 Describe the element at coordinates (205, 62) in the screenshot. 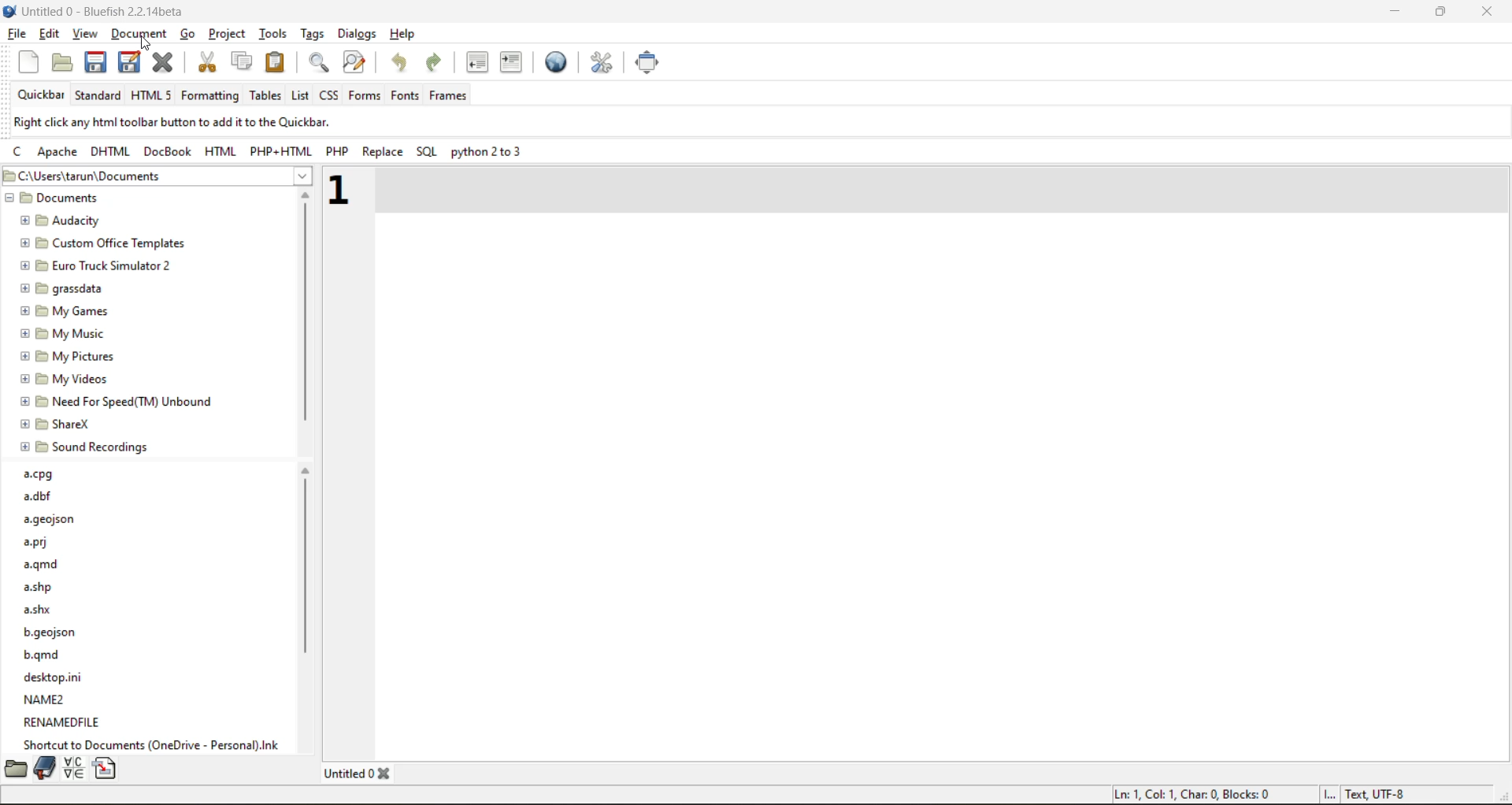

I see `cut` at that location.